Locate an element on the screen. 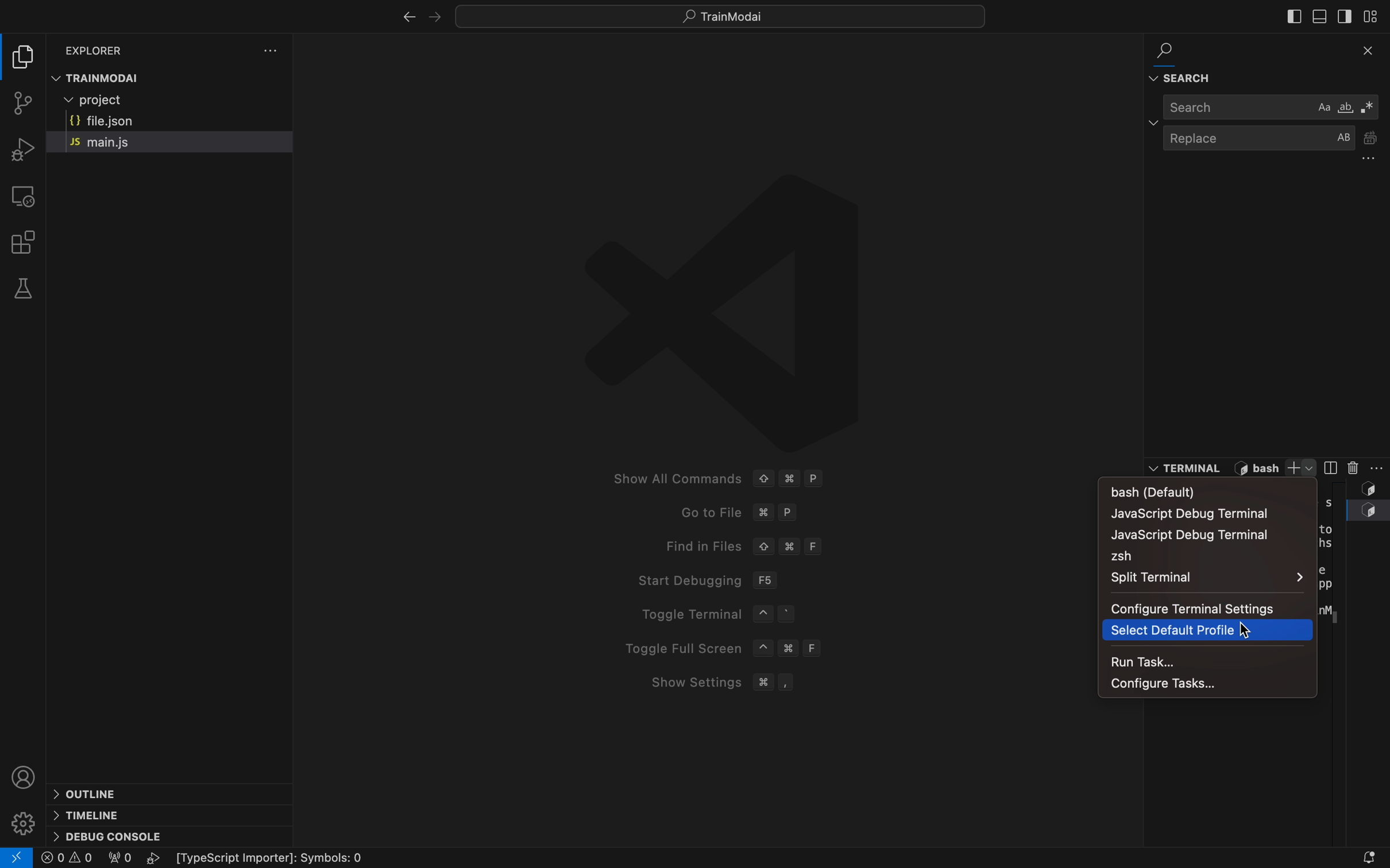 The height and width of the screenshot is (868, 1390). cursor is located at coordinates (1240, 626).